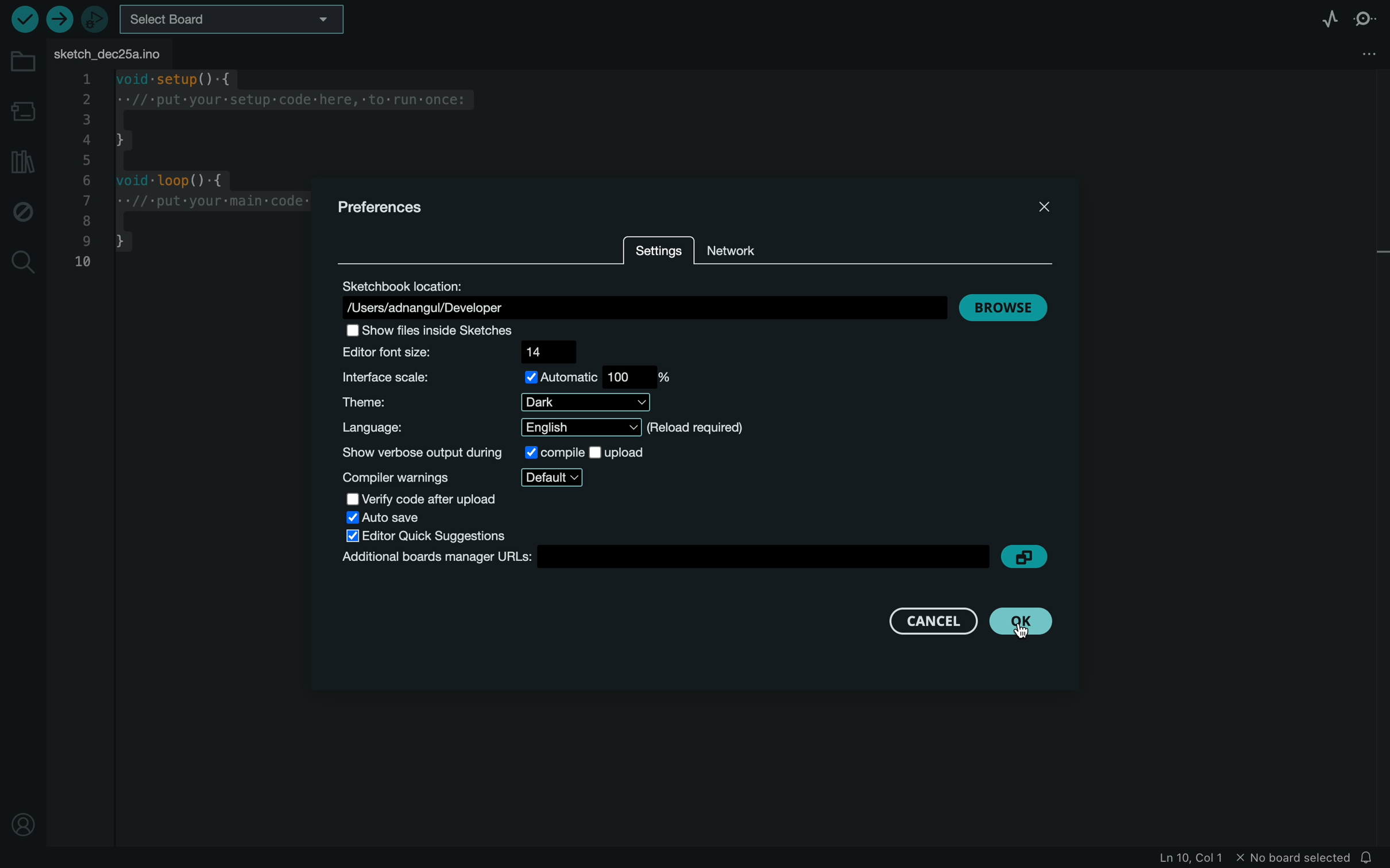  What do you see at coordinates (662, 556) in the screenshot?
I see `additional  board` at bounding box center [662, 556].